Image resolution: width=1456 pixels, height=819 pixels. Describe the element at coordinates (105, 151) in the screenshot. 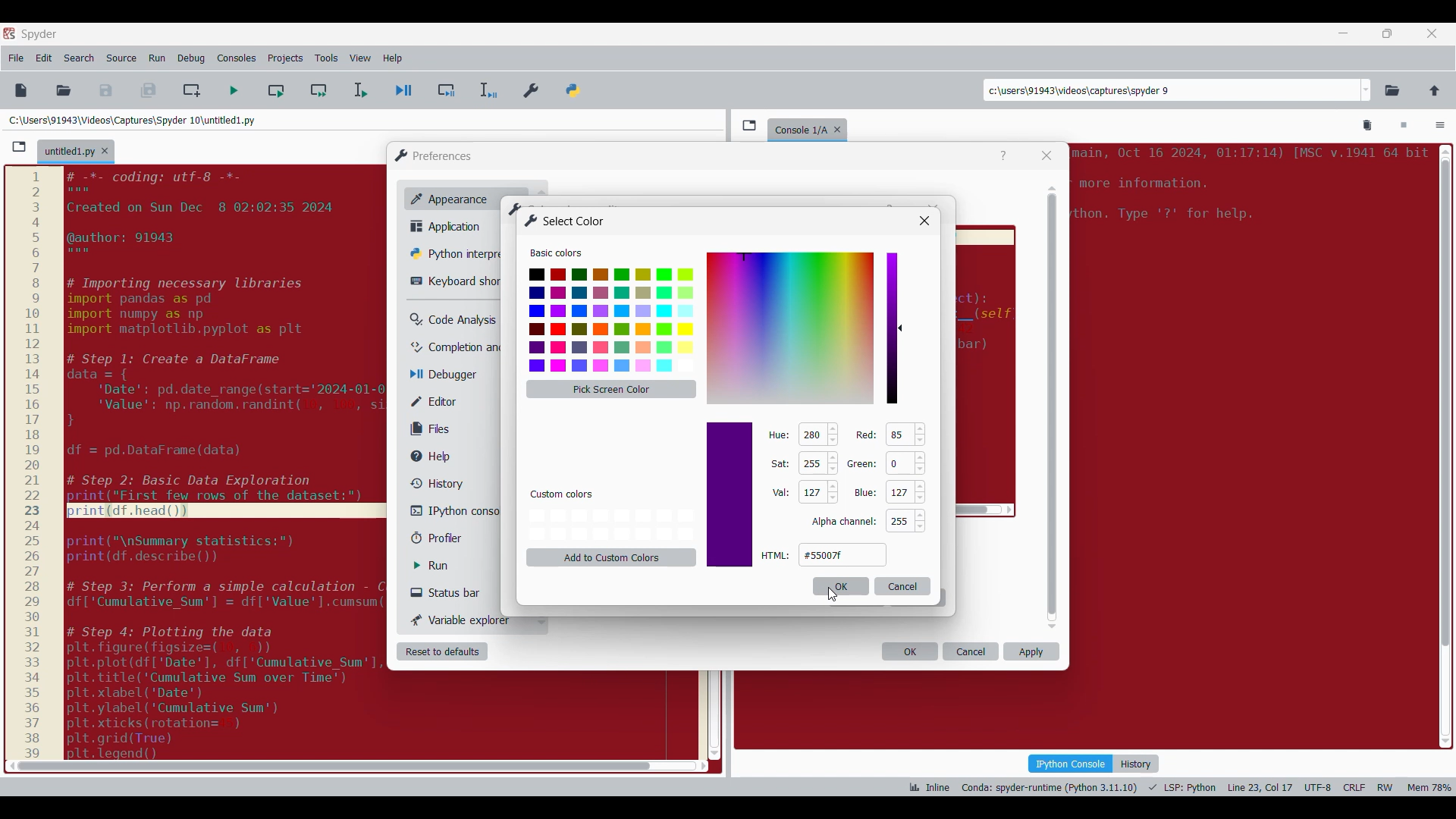

I see `Close tab` at that location.